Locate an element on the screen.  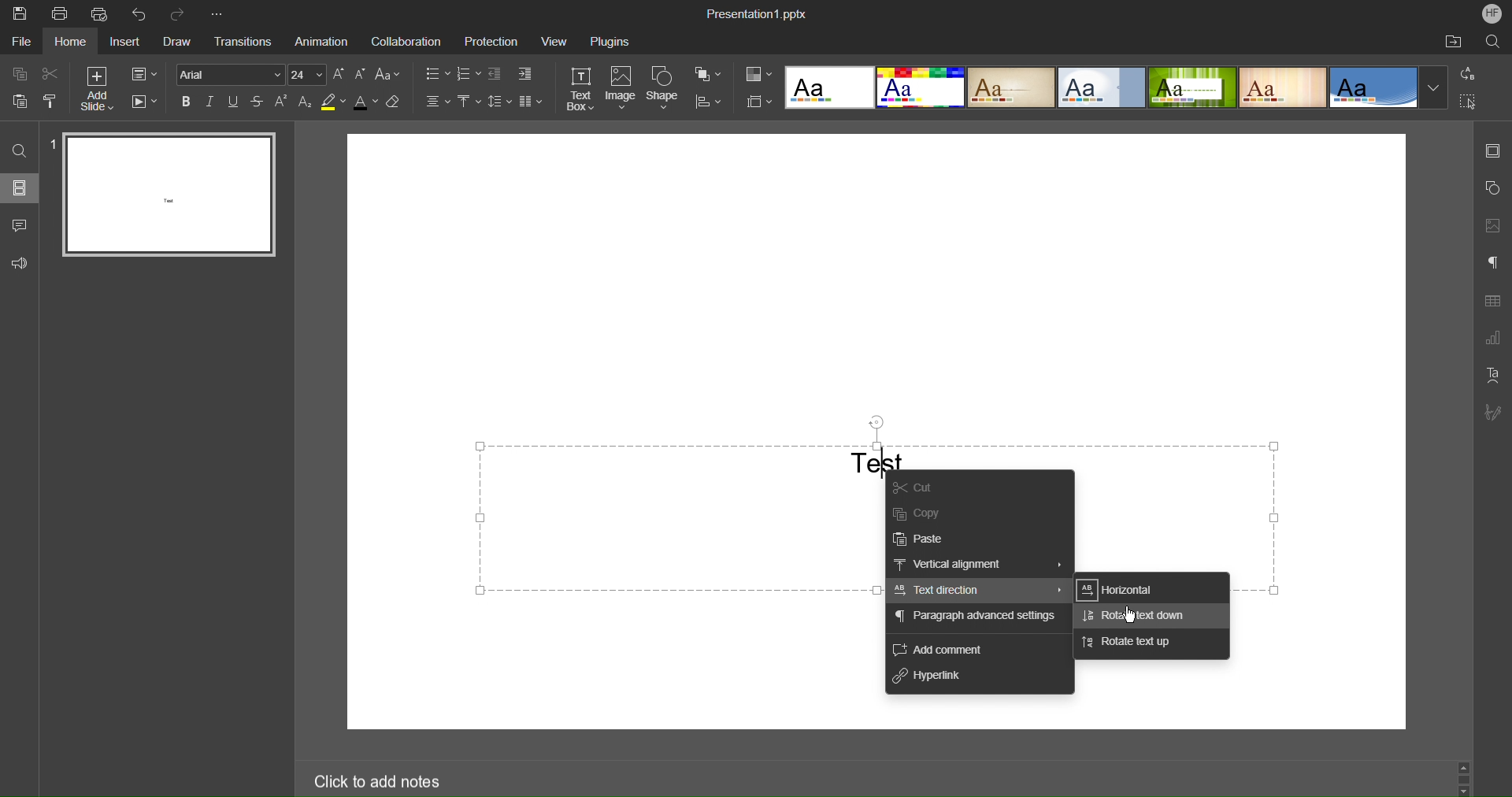
Add Slide is located at coordinates (95, 89).